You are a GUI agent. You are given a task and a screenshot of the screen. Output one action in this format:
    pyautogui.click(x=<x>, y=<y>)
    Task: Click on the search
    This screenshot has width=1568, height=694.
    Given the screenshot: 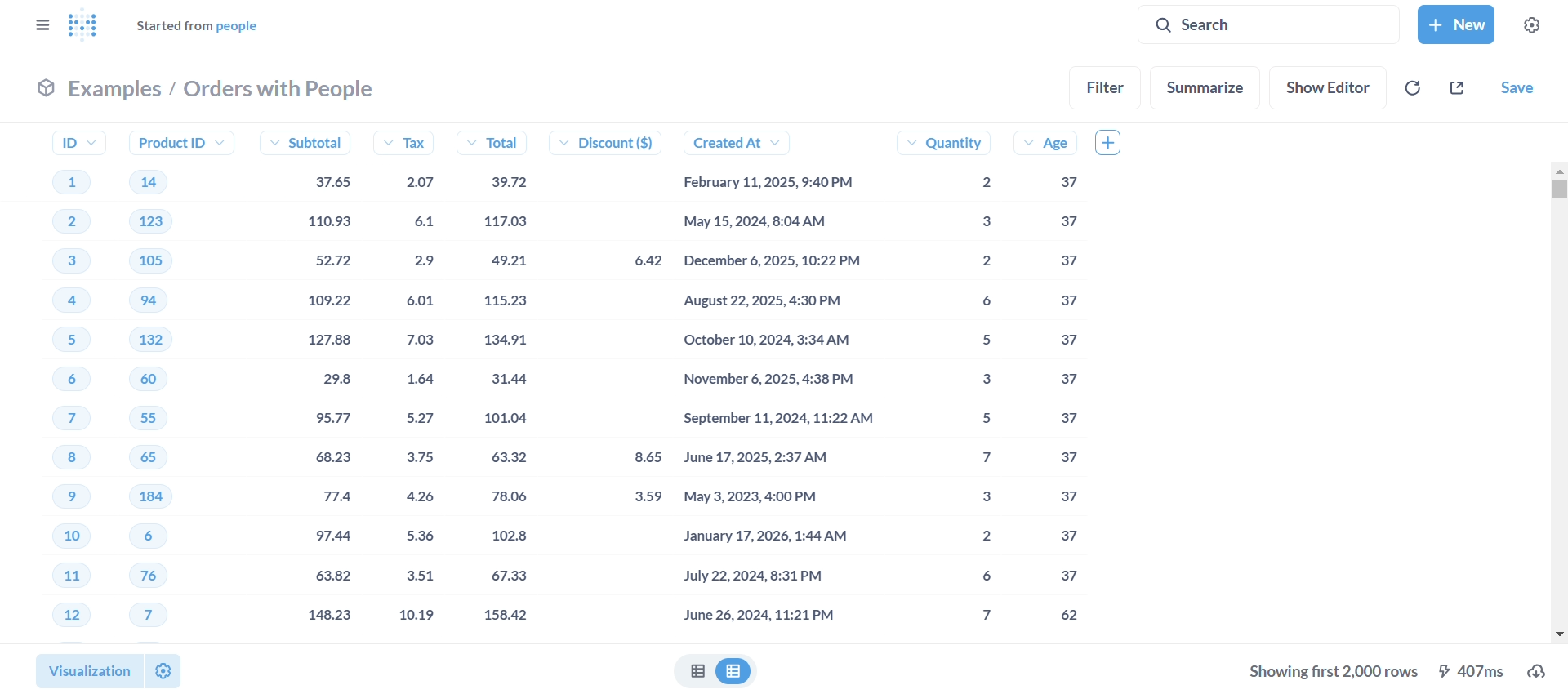 What is the action you would take?
    pyautogui.click(x=1271, y=25)
    